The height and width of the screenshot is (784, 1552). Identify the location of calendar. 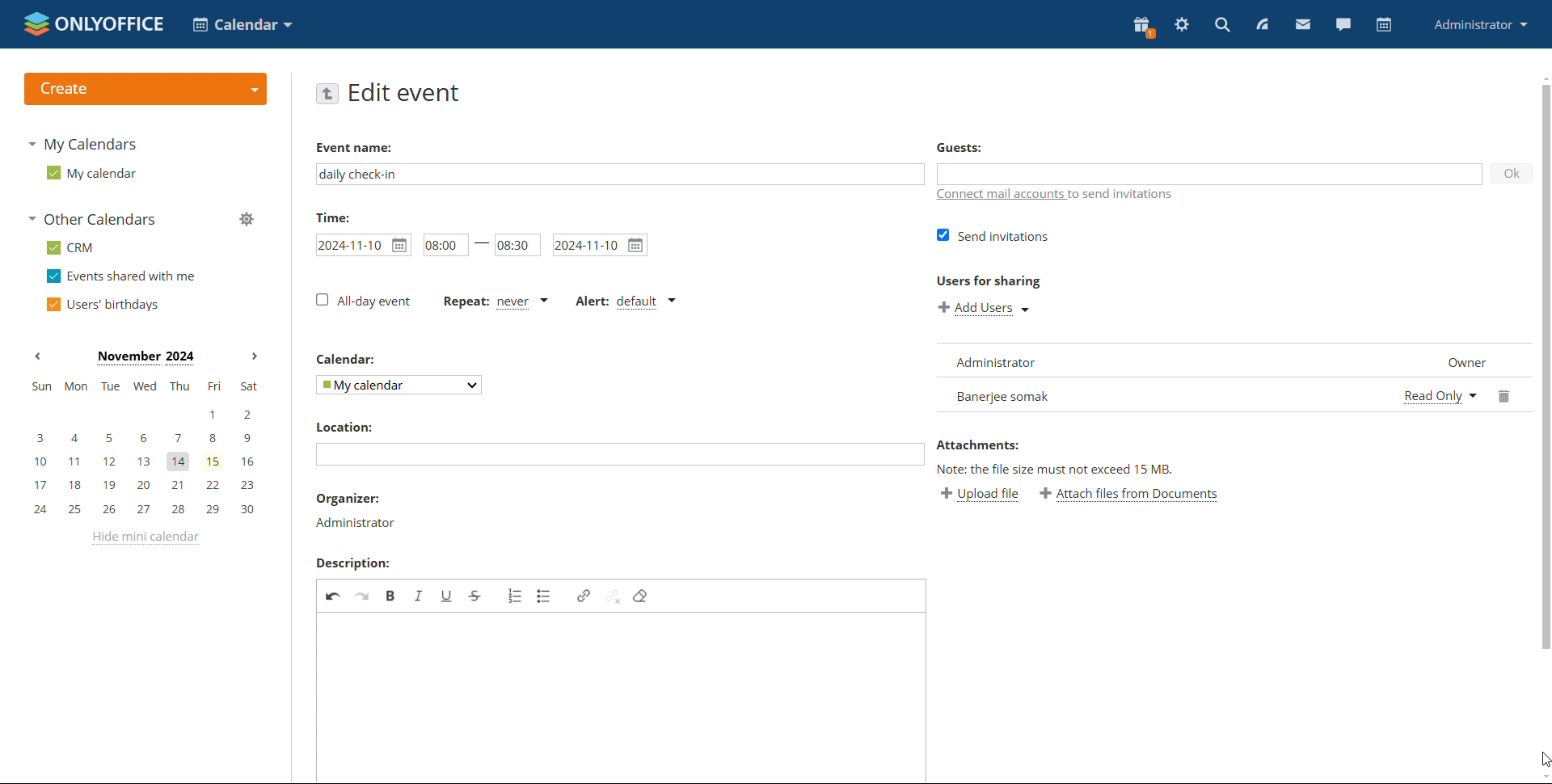
(1382, 25).